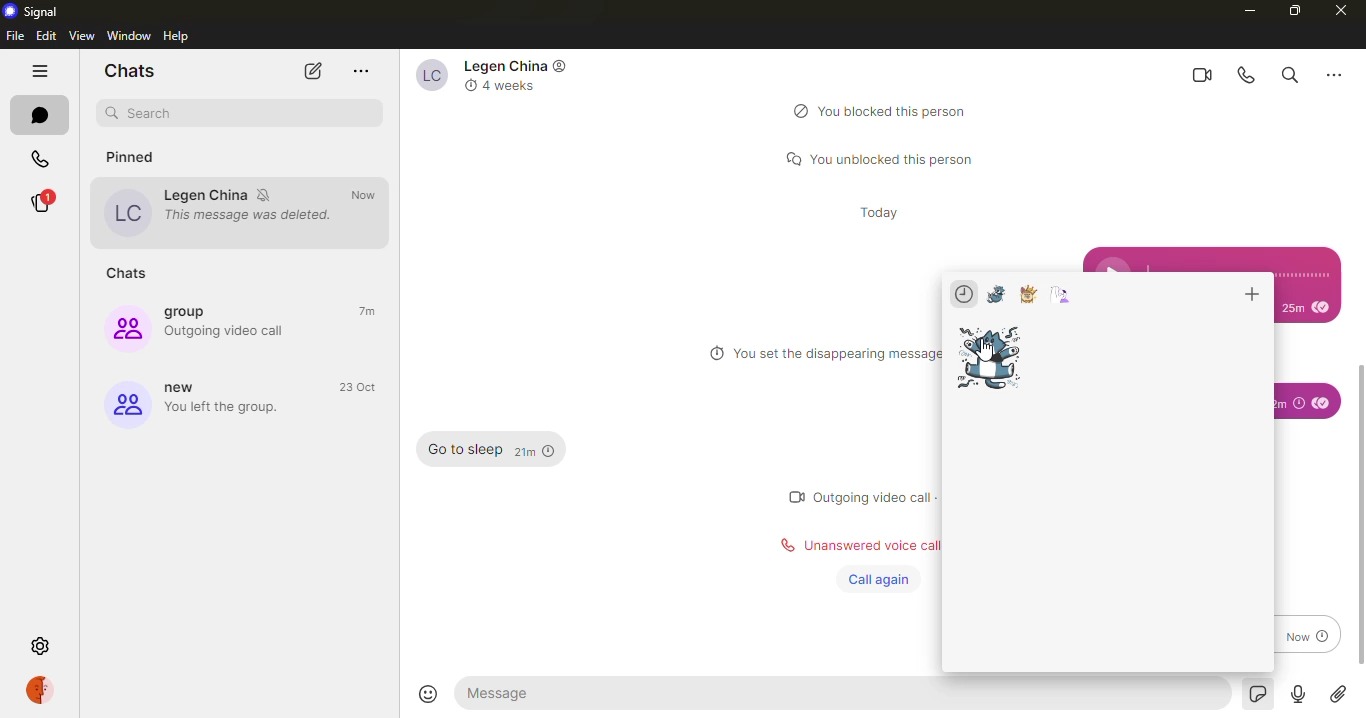  I want to click on stories, so click(46, 202).